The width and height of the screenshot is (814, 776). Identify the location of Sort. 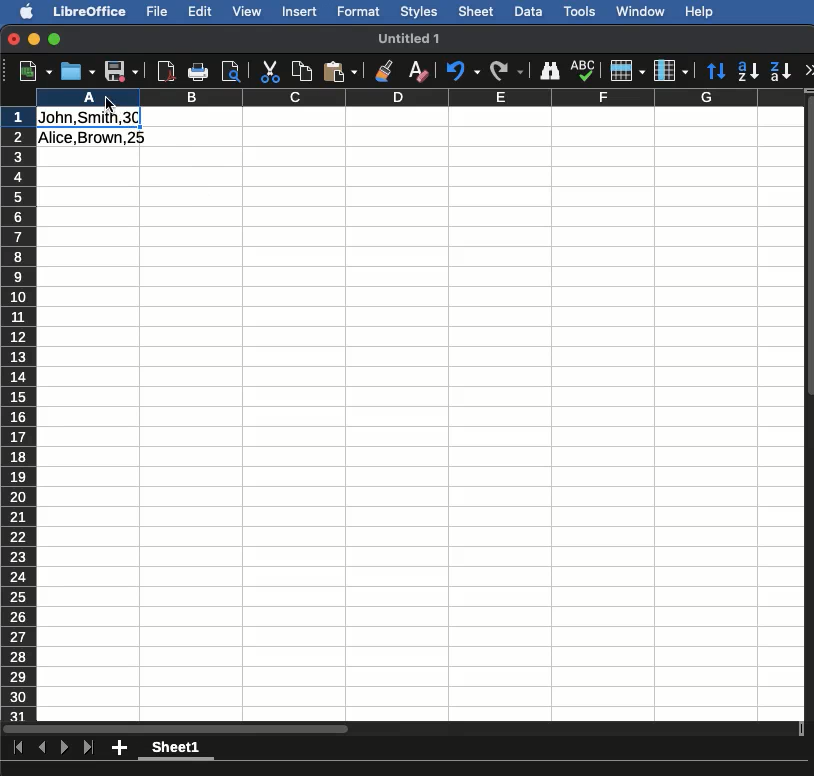
(717, 71).